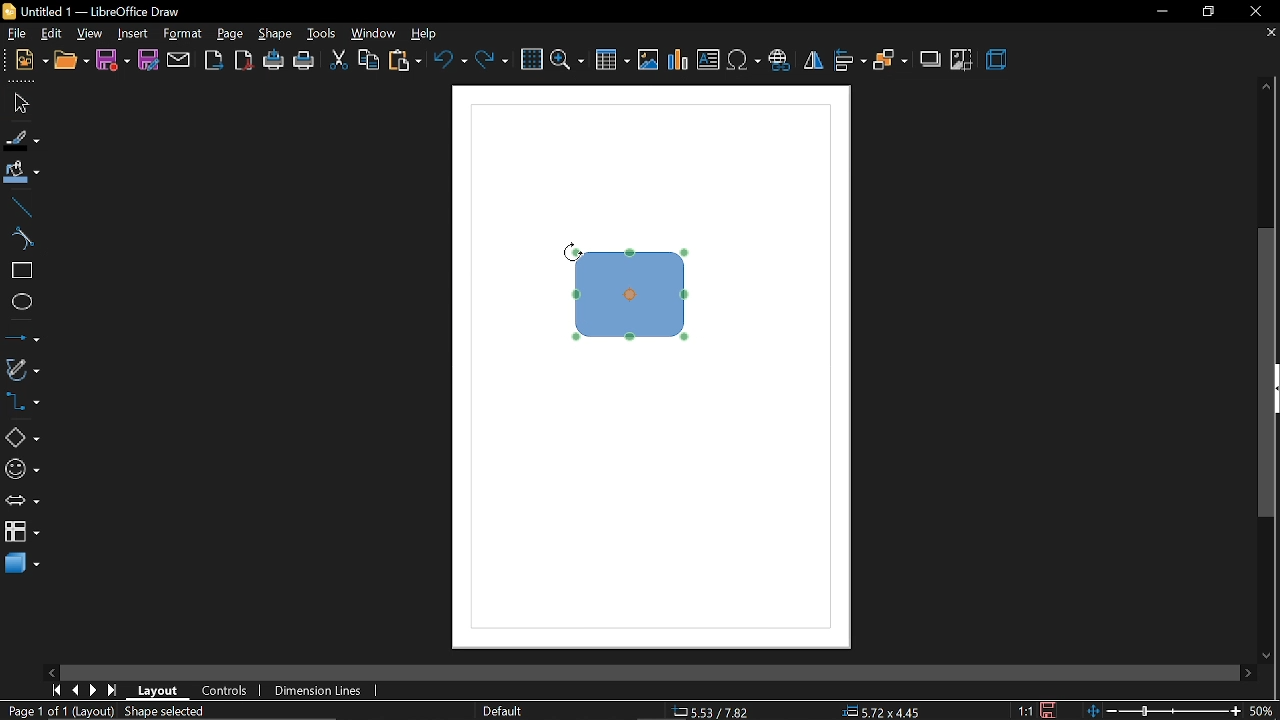  Describe the element at coordinates (646, 61) in the screenshot. I see `insert image` at that location.